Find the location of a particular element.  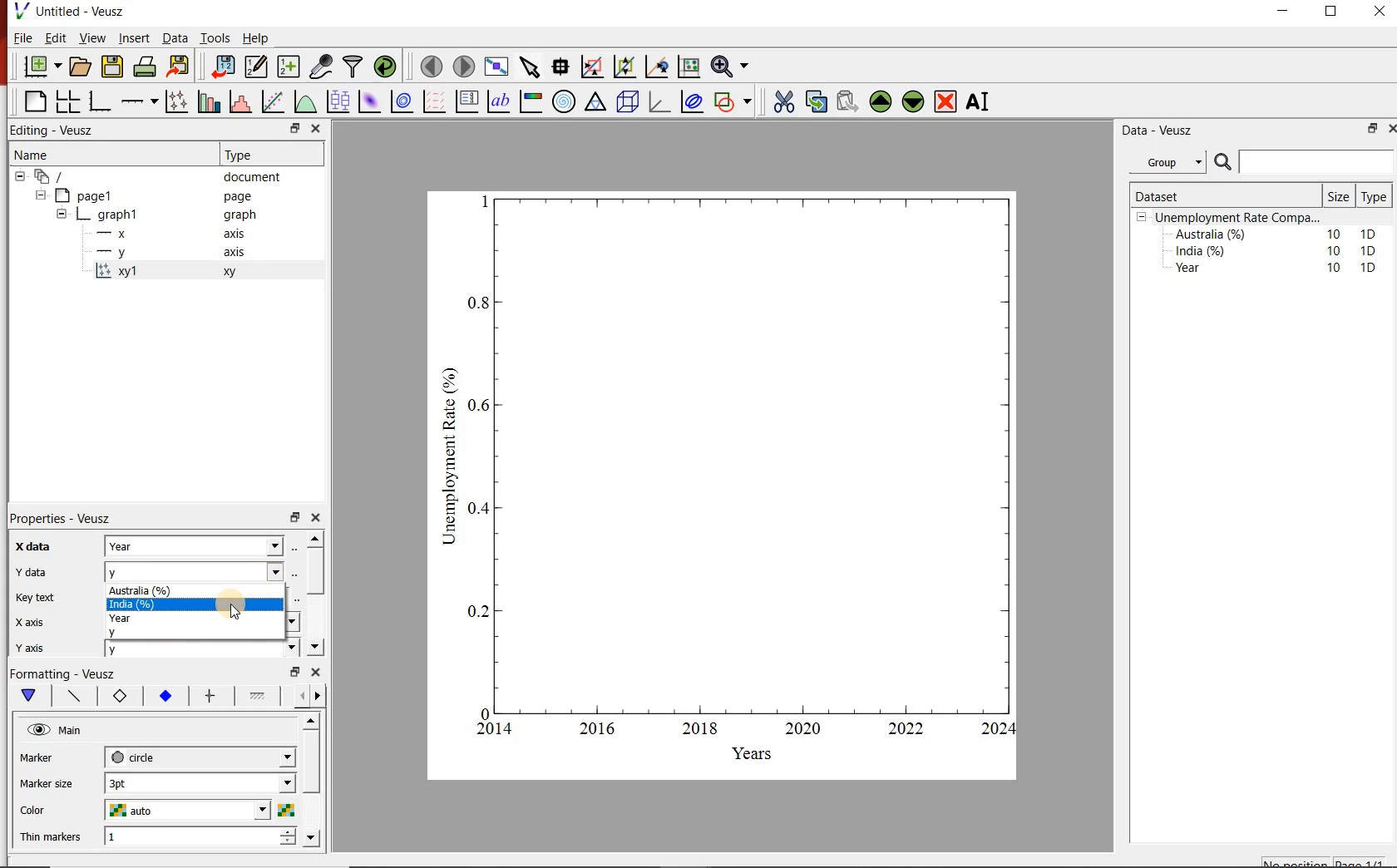

marker border is located at coordinates (119, 697).